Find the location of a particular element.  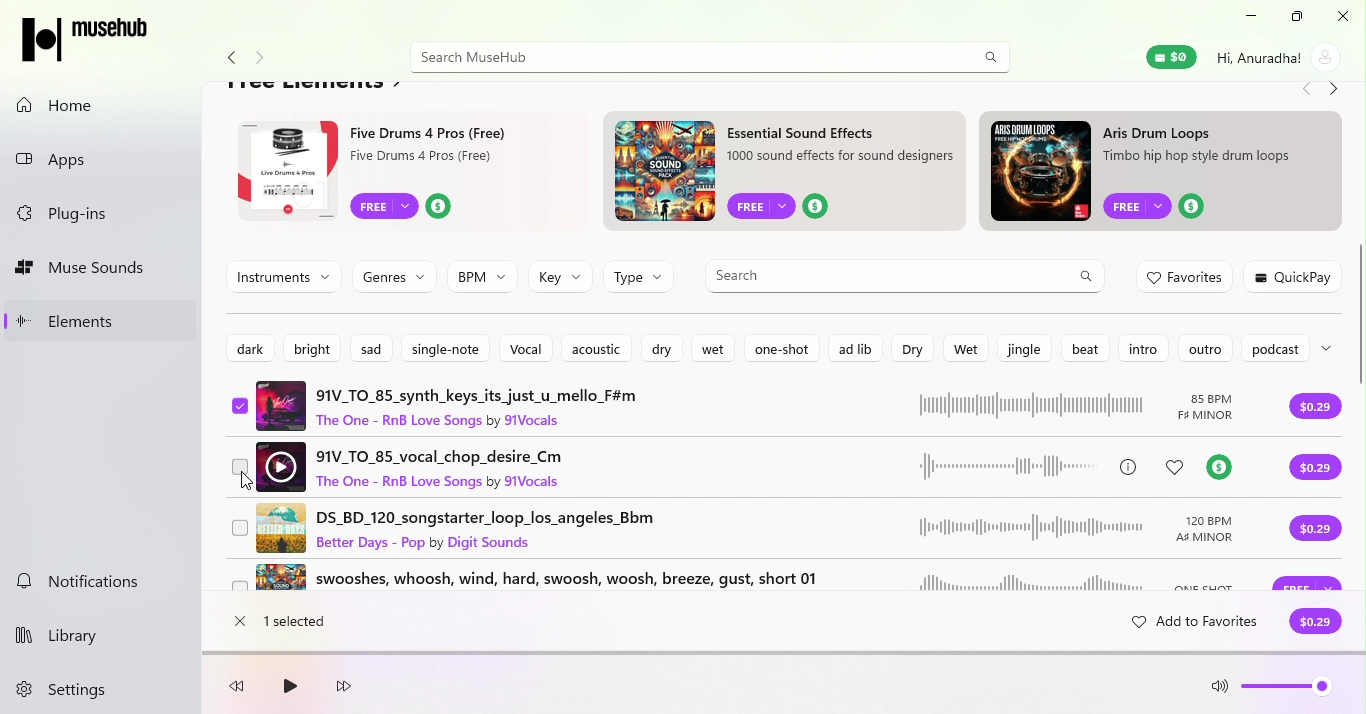

Plug-ins is located at coordinates (105, 215).